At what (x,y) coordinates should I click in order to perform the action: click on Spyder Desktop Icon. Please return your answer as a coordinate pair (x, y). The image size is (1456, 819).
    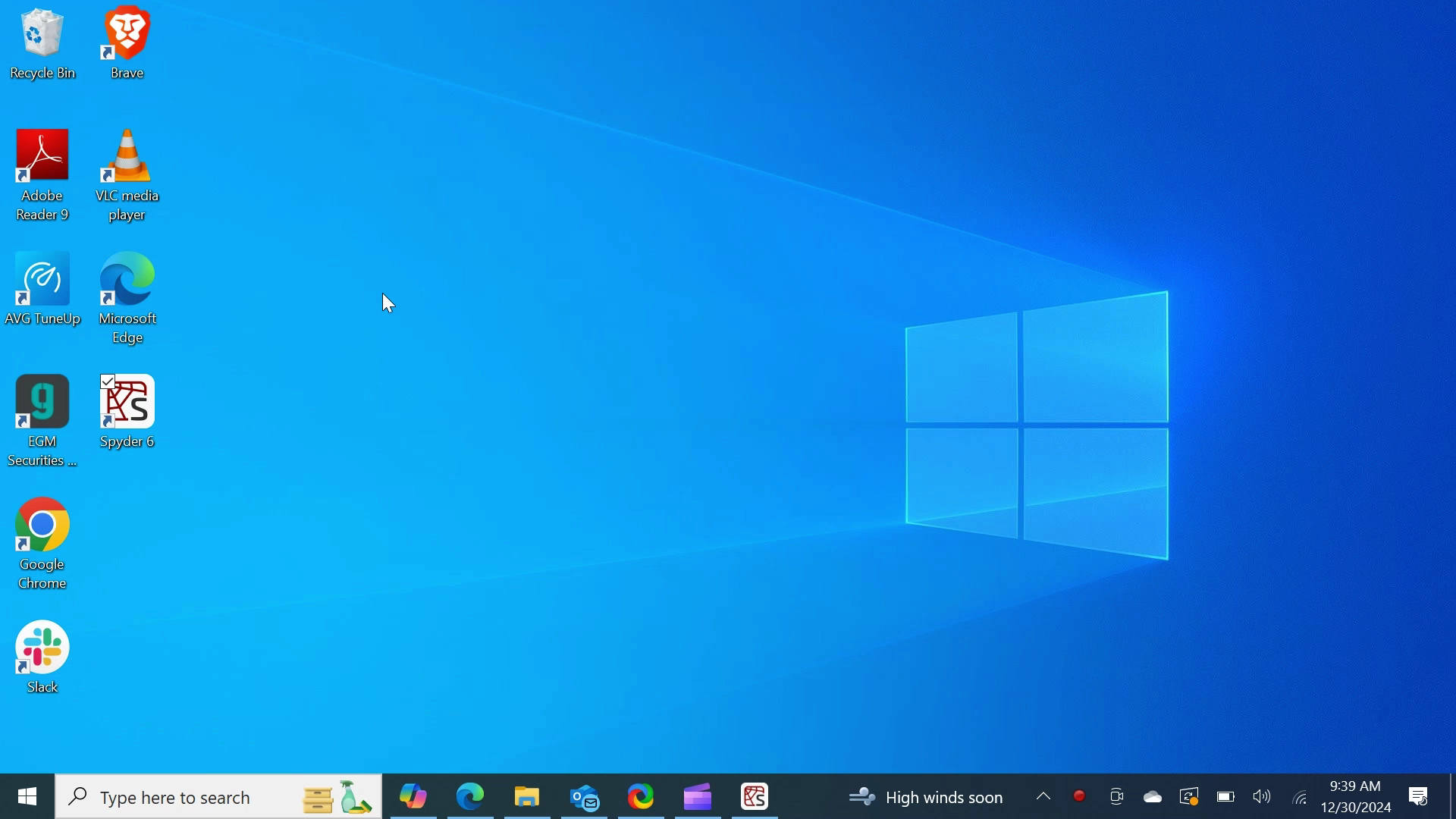
    Looking at the image, I should click on (128, 414).